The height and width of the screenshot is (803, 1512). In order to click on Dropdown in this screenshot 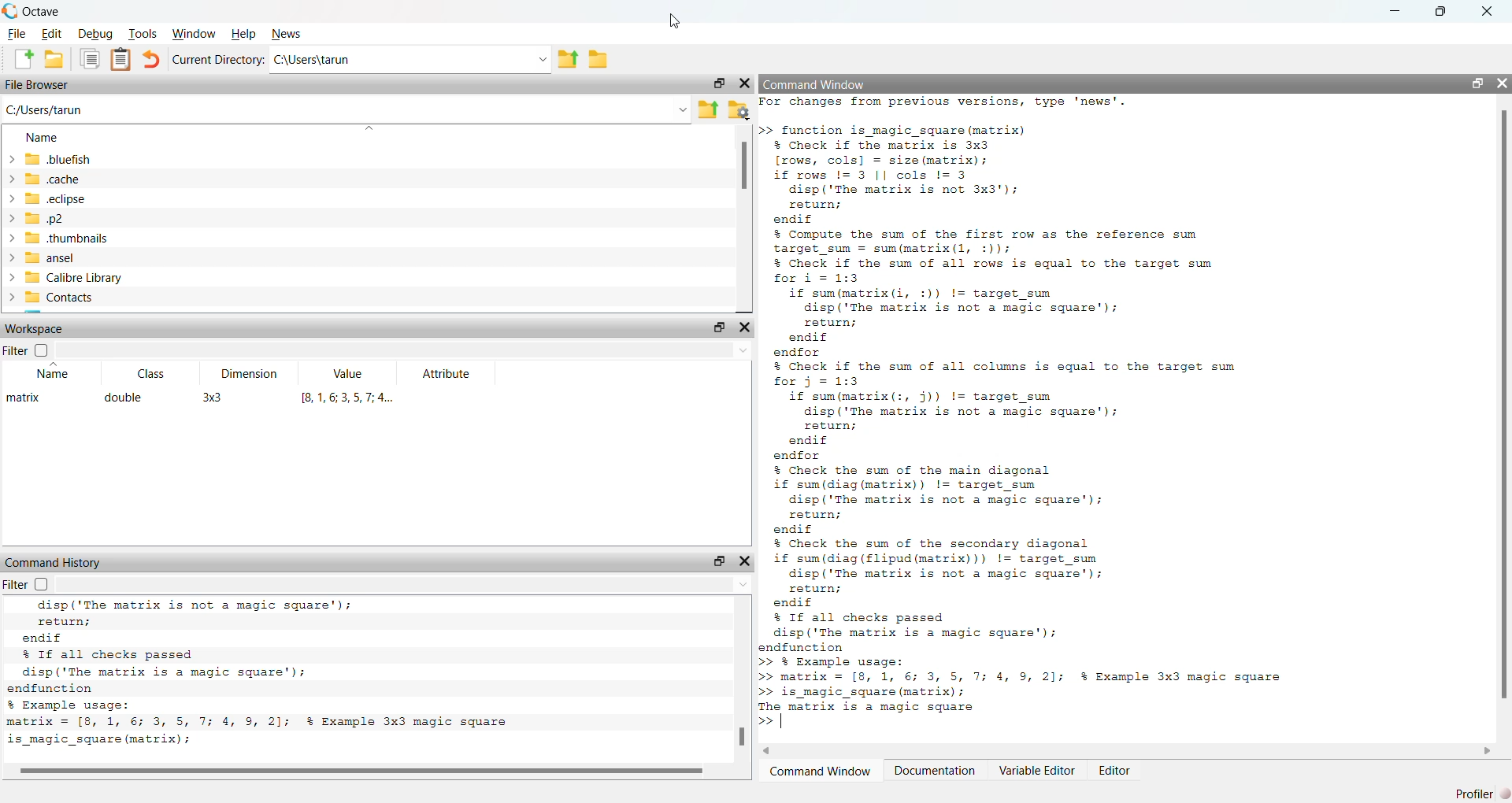, I will do `click(684, 111)`.